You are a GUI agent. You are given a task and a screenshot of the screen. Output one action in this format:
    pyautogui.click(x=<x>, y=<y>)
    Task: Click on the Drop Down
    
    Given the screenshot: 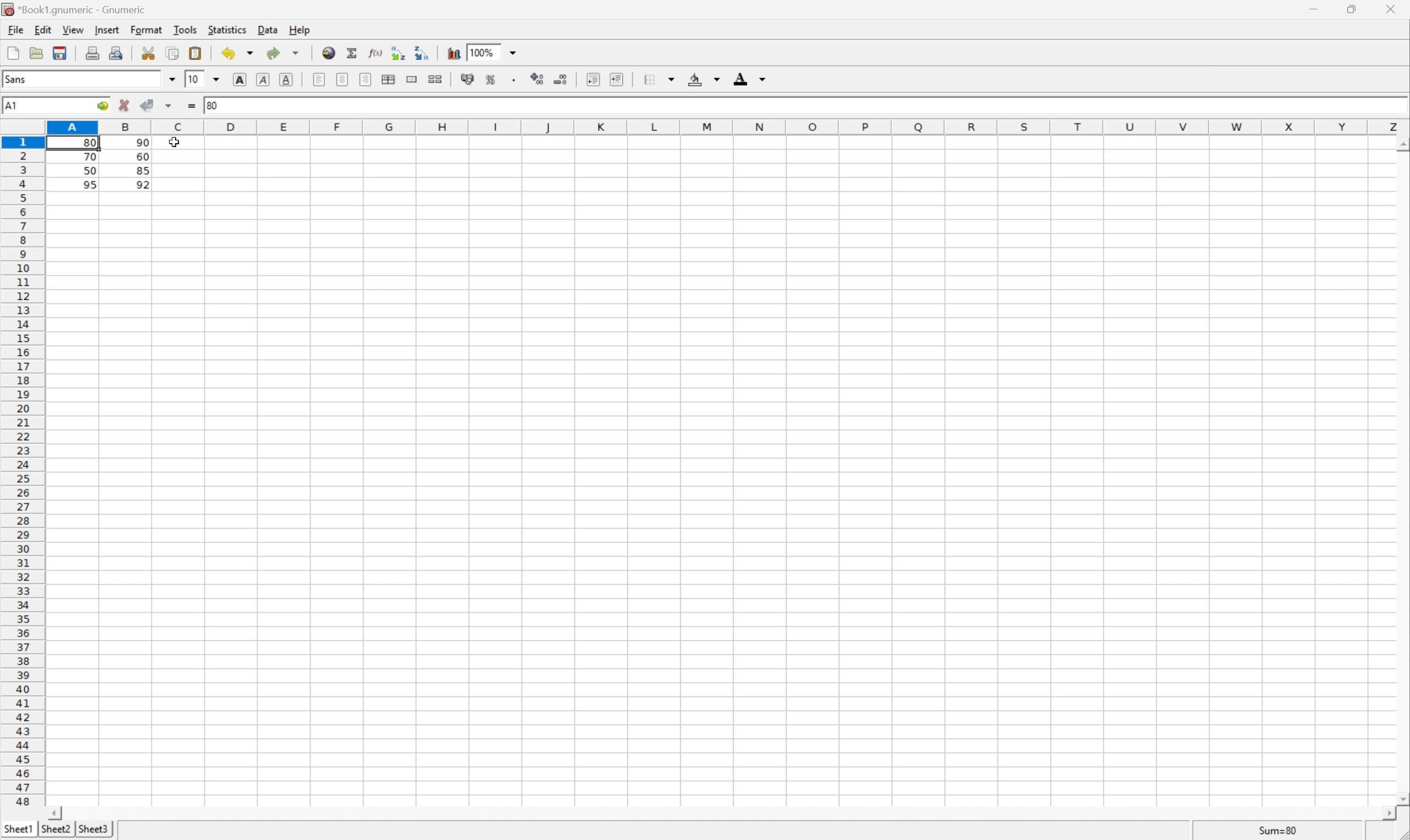 What is the action you would take?
    pyautogui.click(x=220, y=79)
    